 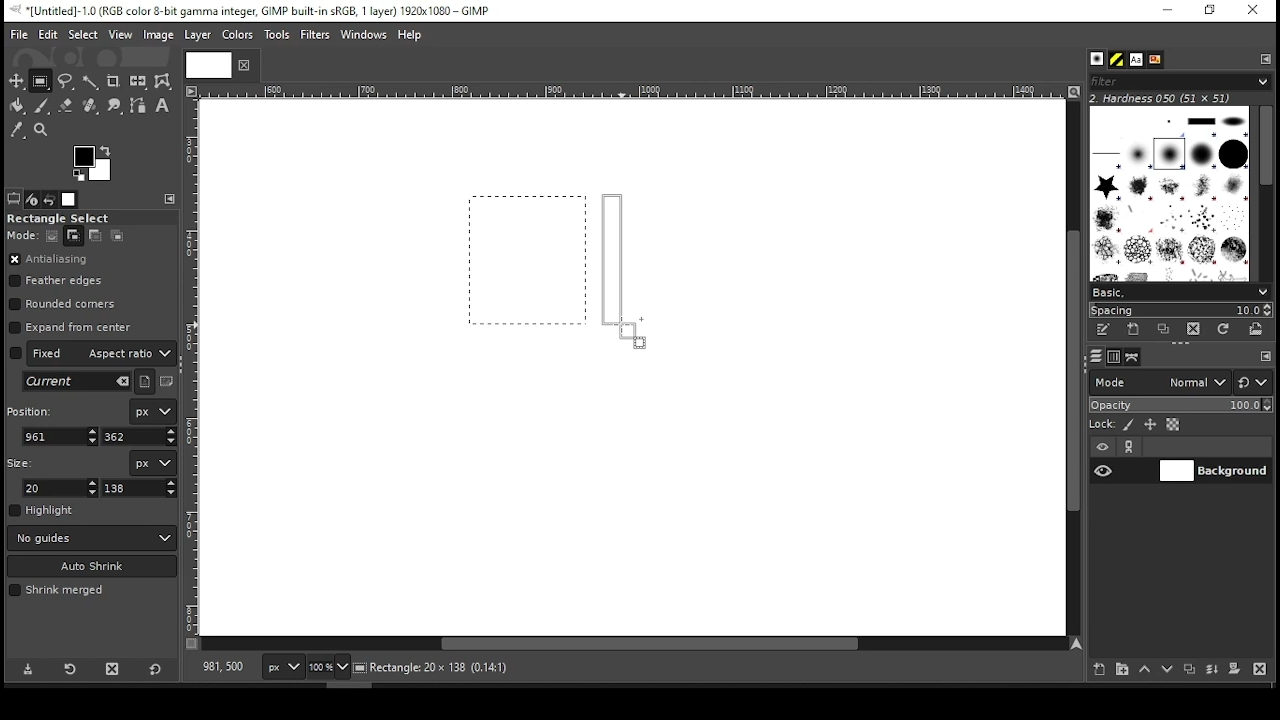 What do you see at coordinates (1213, 471) in the screenshot?
I see `layer ` at bounding box center [1213, 471].